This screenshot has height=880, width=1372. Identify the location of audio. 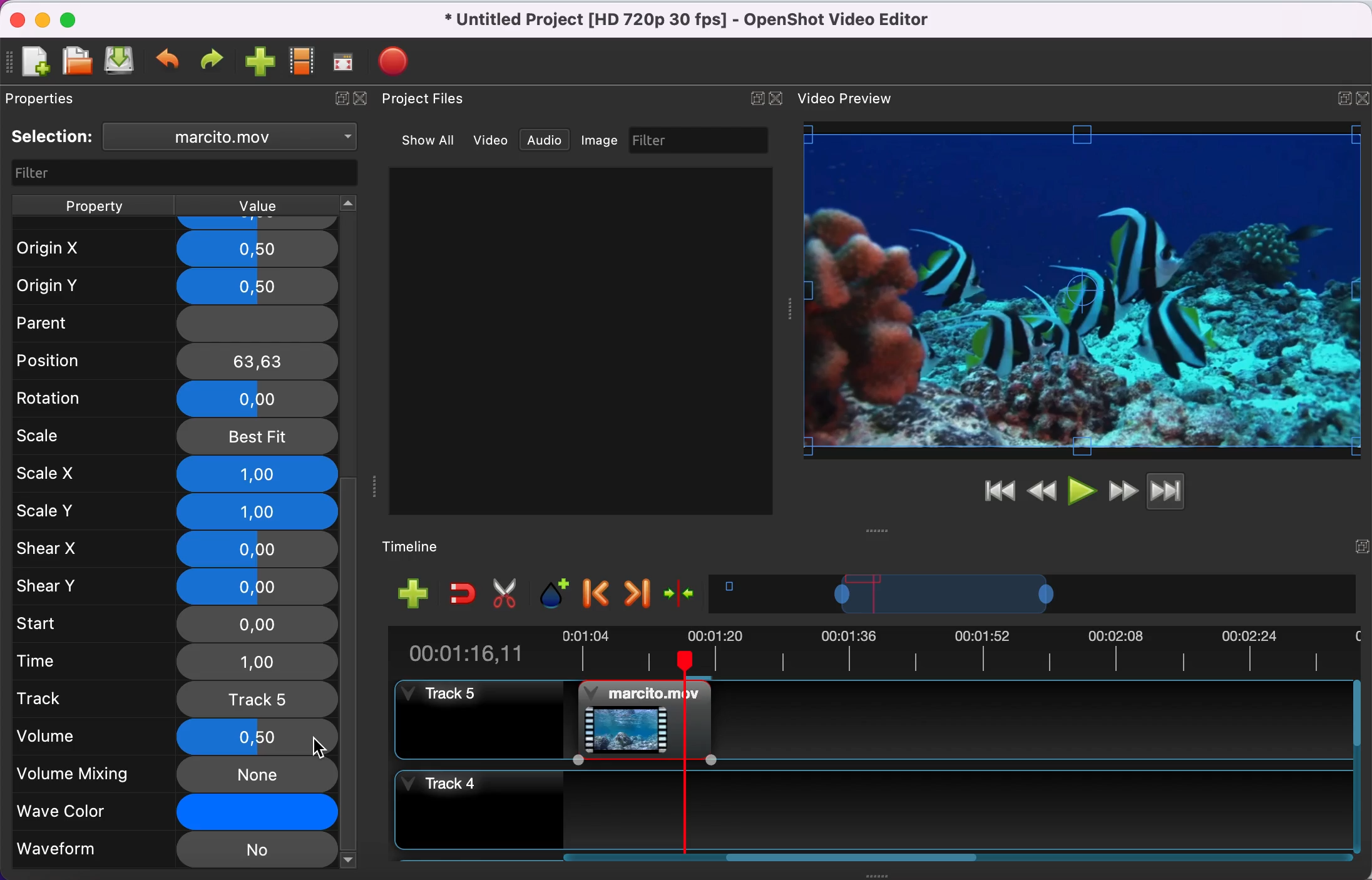
(549, 141).